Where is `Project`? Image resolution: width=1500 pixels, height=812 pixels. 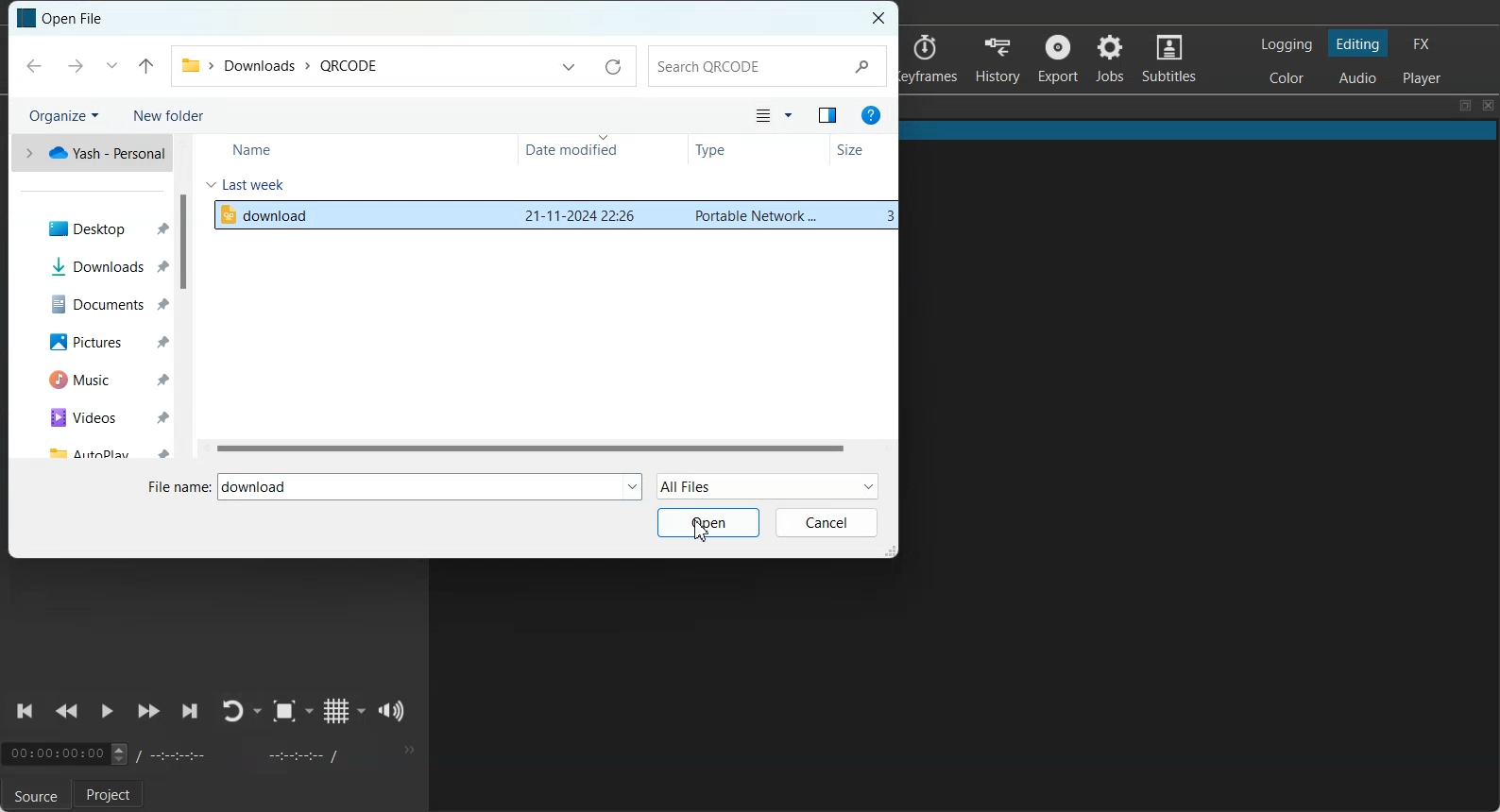 Project is located at coordinates (111, 795).